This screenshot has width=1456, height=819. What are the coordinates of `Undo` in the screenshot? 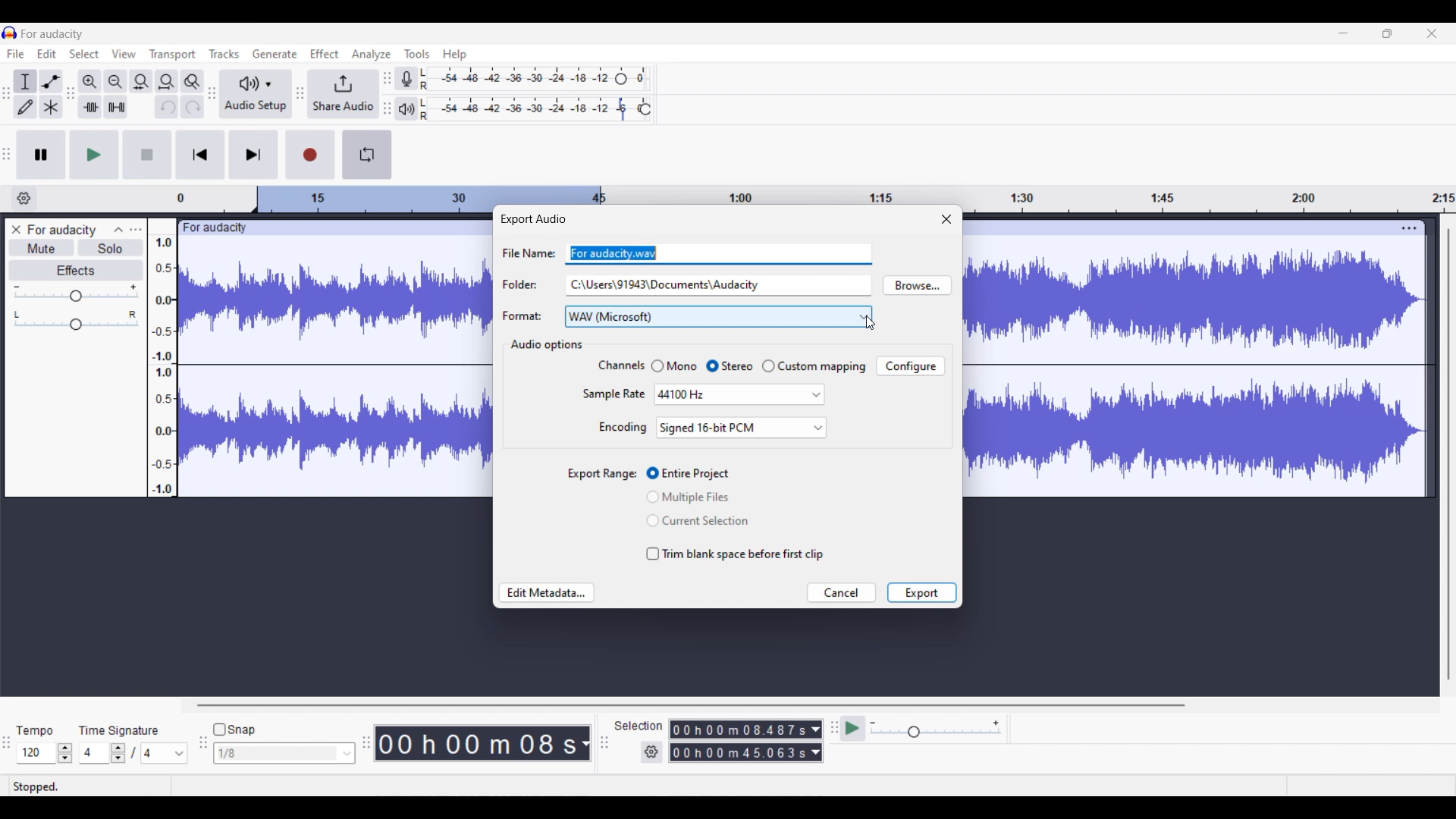 It's located at (167, 107).